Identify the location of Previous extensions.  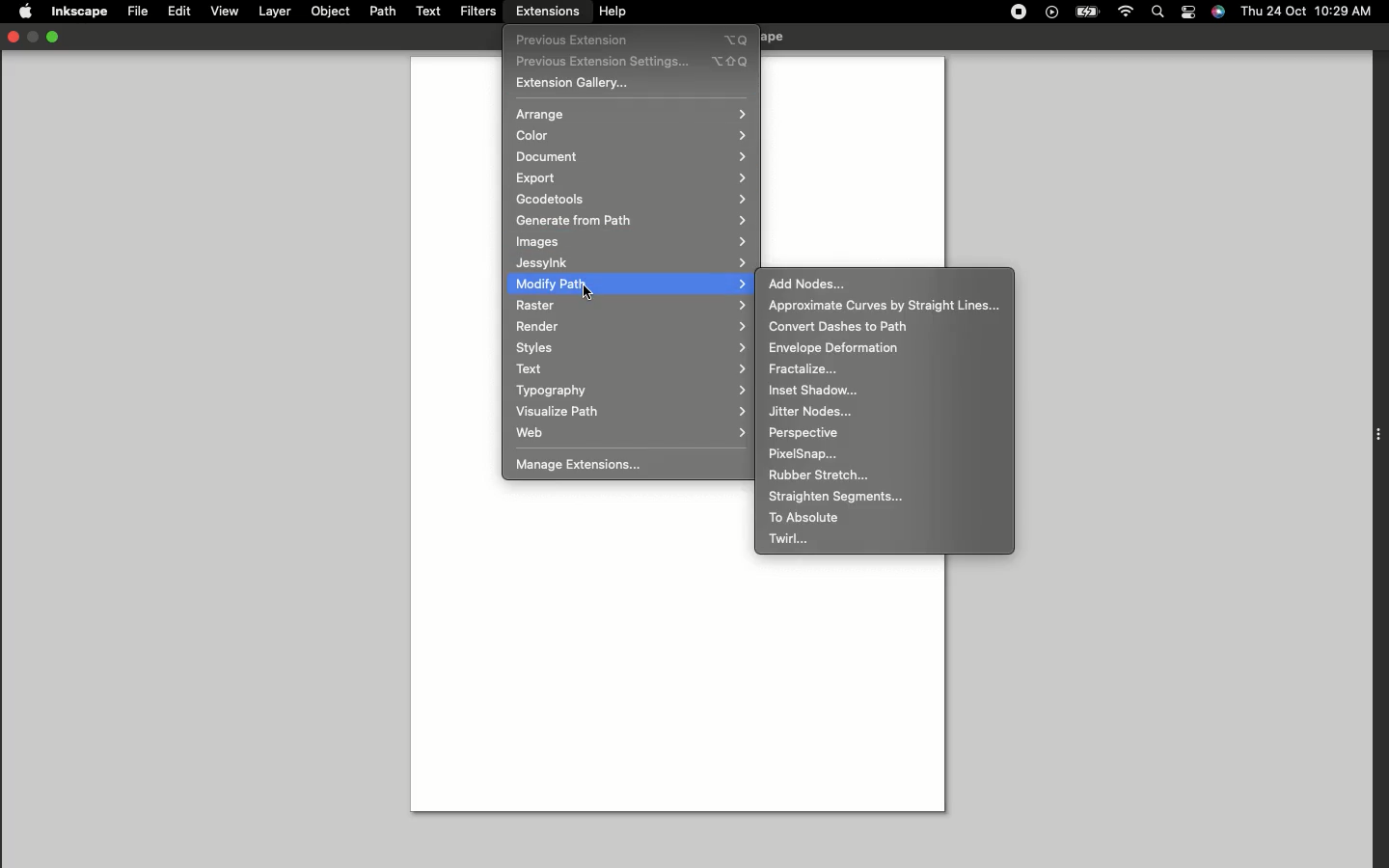
(632, 40).